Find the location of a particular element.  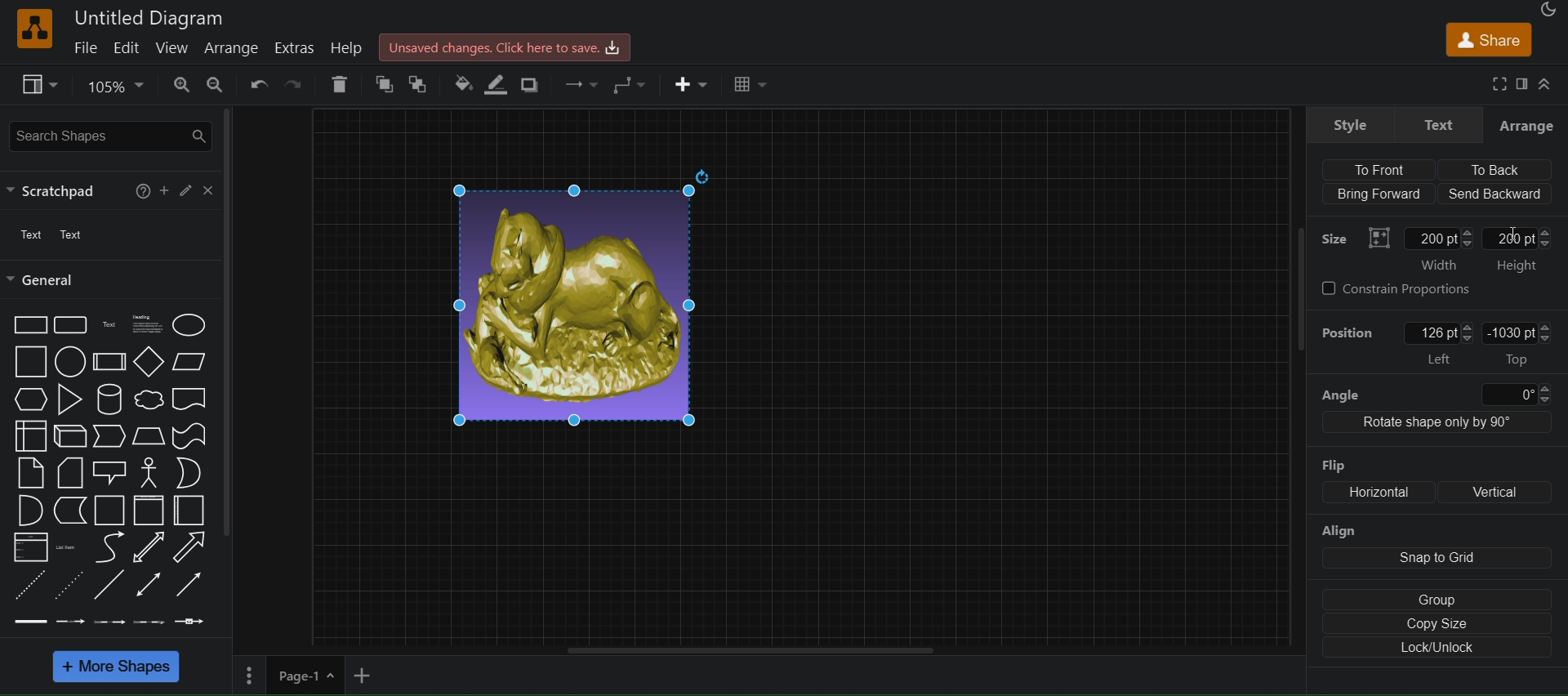

add new page is located at coordinates (369, 676).